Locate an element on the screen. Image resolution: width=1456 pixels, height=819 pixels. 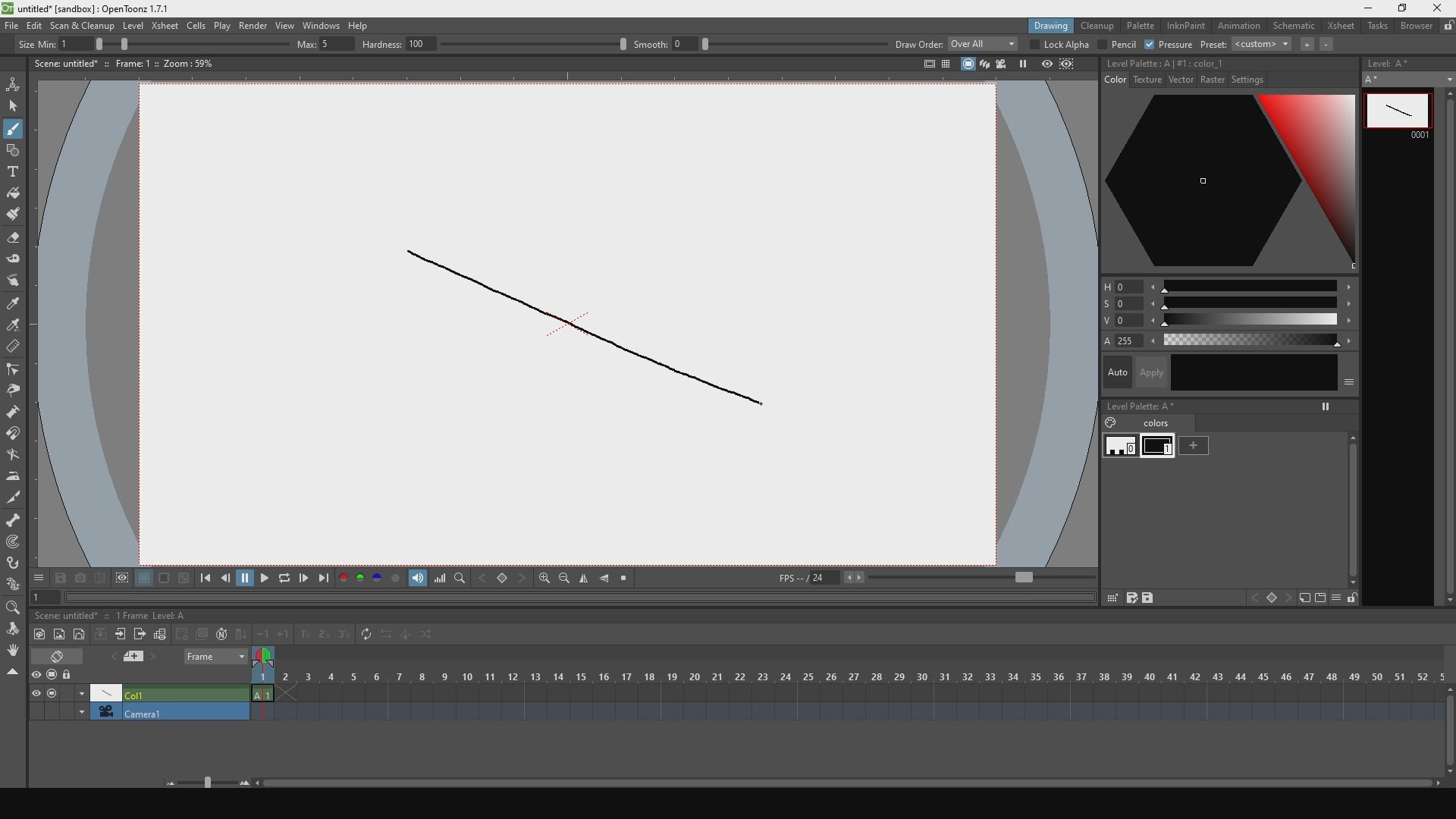
options is located at coordinates (40, 579).